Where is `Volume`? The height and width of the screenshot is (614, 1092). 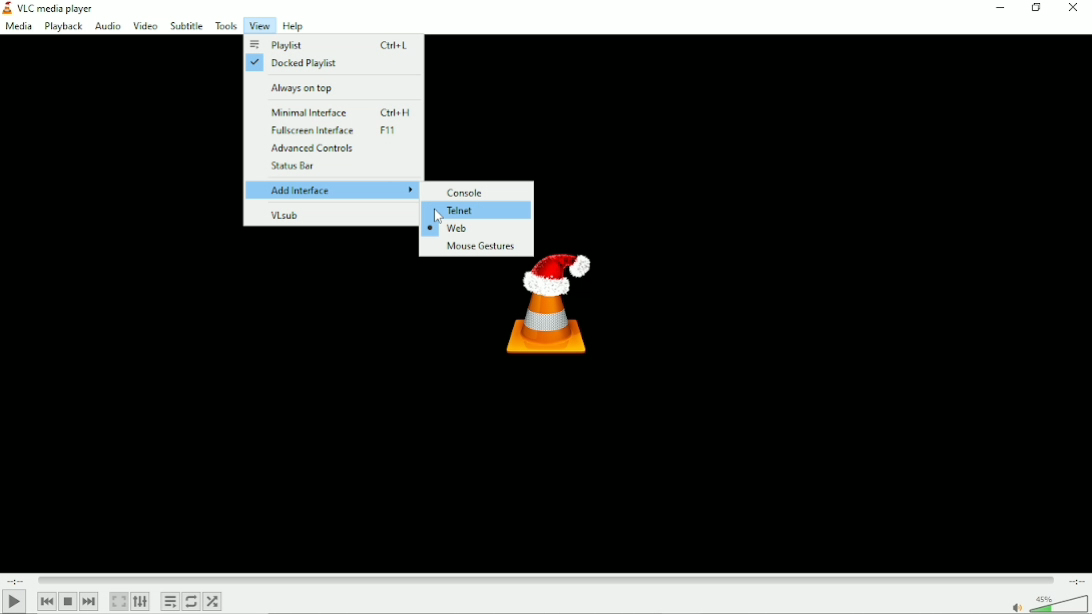
Volume is located at coordinates (1048, 603).